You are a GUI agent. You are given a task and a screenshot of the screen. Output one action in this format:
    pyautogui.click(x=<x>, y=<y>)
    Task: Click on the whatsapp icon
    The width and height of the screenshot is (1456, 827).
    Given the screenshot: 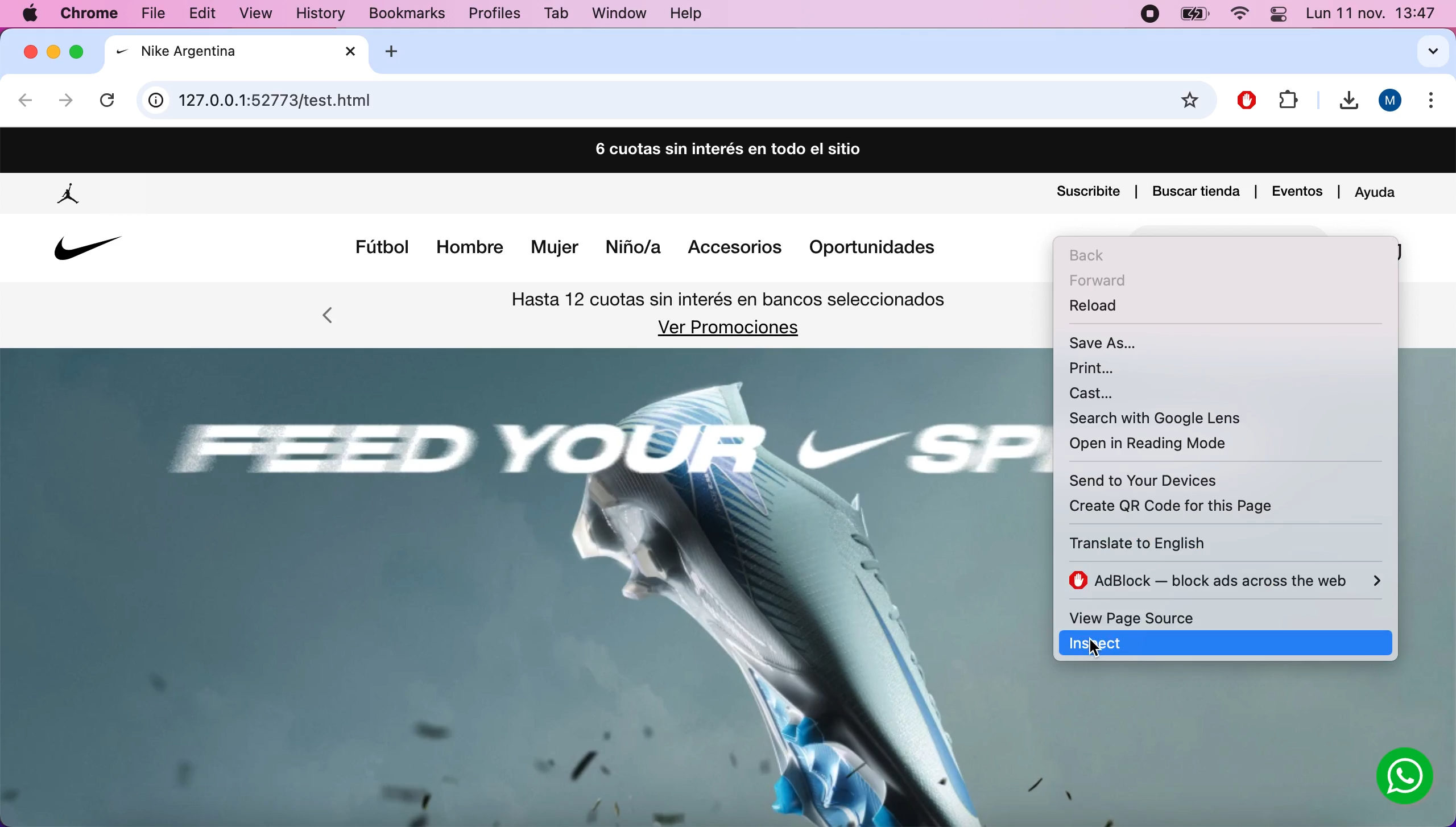 What is the action you would take?
    pyautogui.click(x=1406, y=779)
    